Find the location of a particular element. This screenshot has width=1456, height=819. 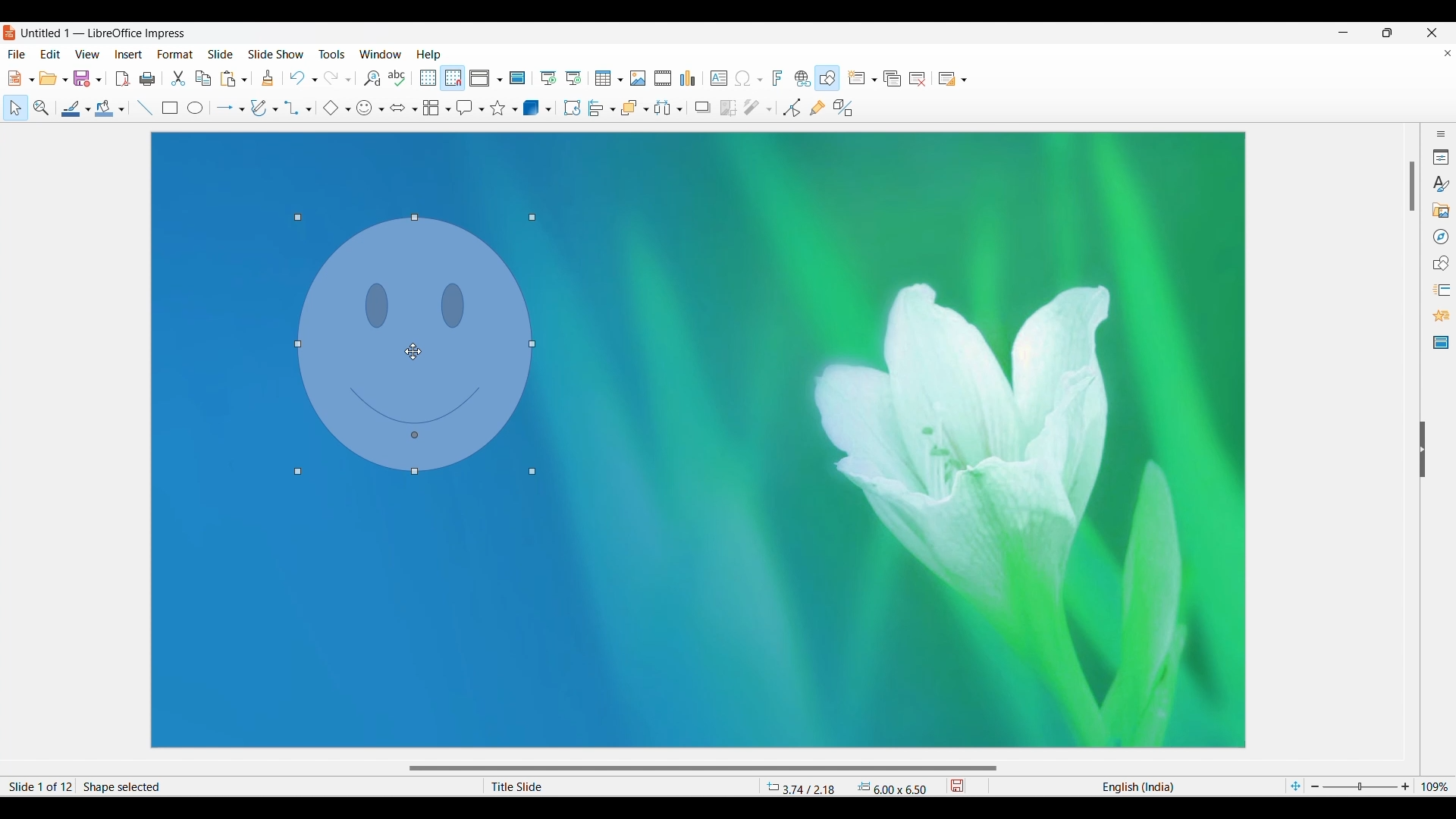

New slide is located at coordinates (856, 77).